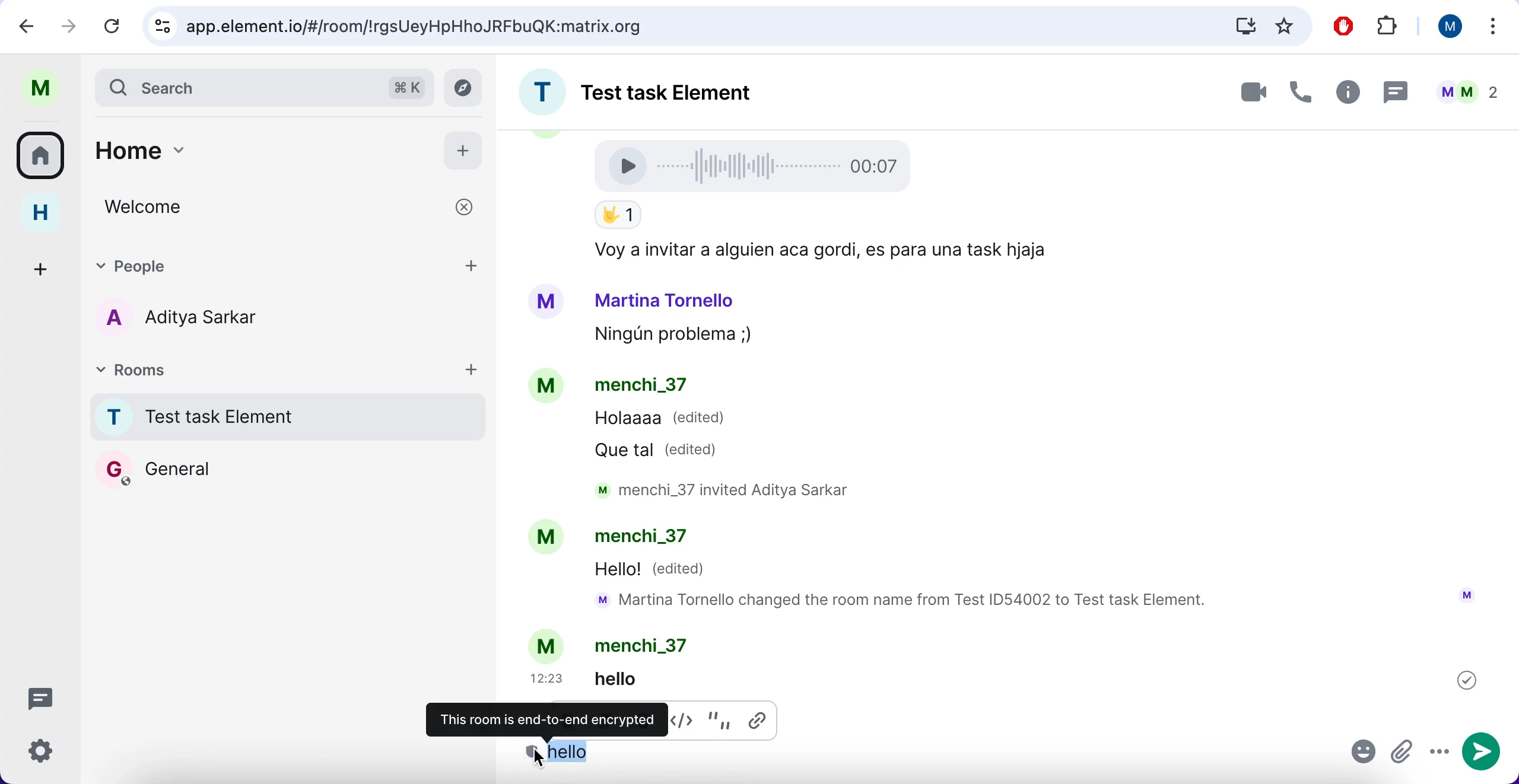 The width and height of the screenshot is (1519, 784). What do you see at coordinates (662, 450) in the screenshot?
I see `Que tal (edited)` at bounding box center [662, 450].